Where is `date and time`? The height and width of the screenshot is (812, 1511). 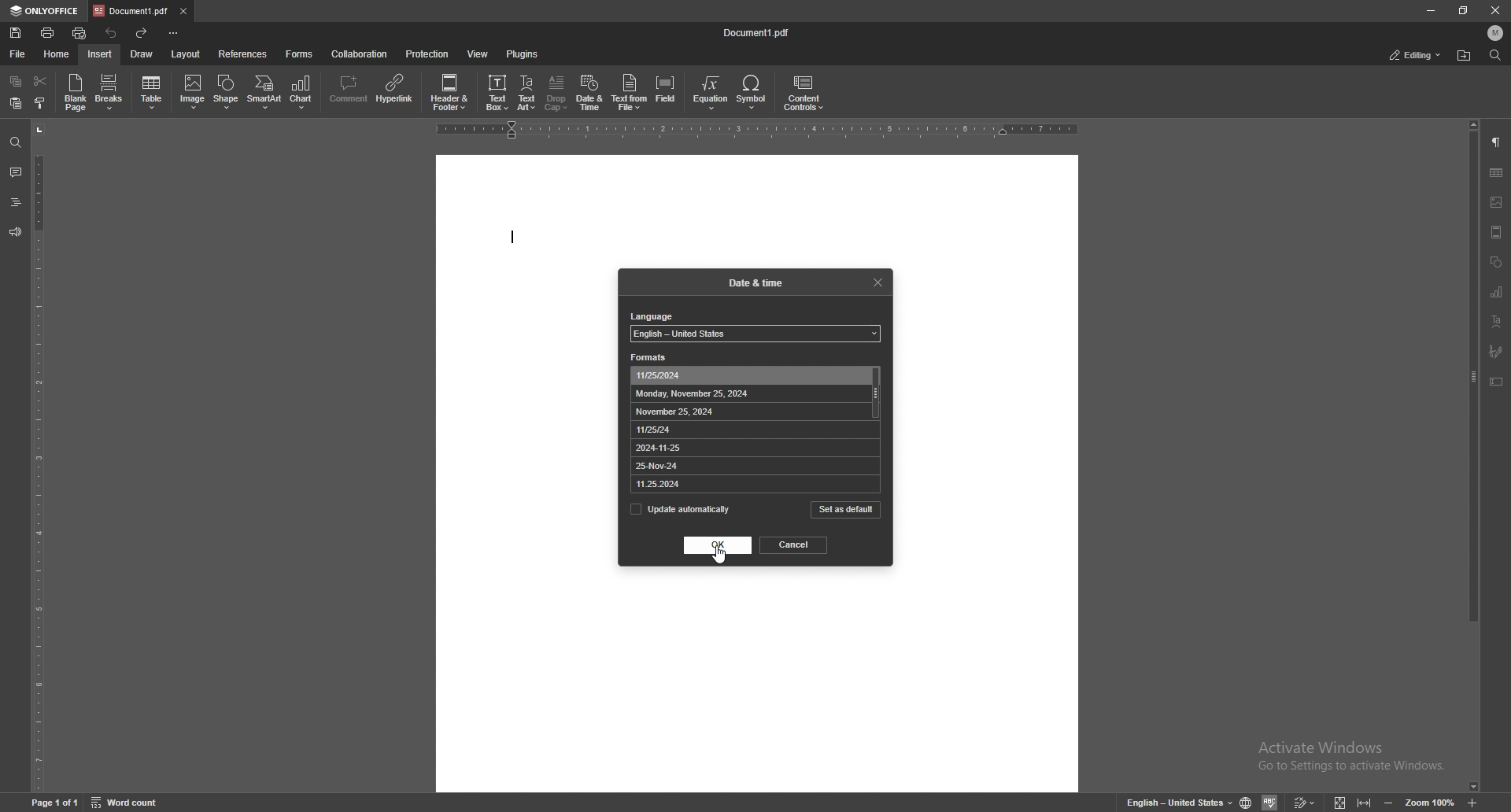
date and time is located at coordinates (589, 93).